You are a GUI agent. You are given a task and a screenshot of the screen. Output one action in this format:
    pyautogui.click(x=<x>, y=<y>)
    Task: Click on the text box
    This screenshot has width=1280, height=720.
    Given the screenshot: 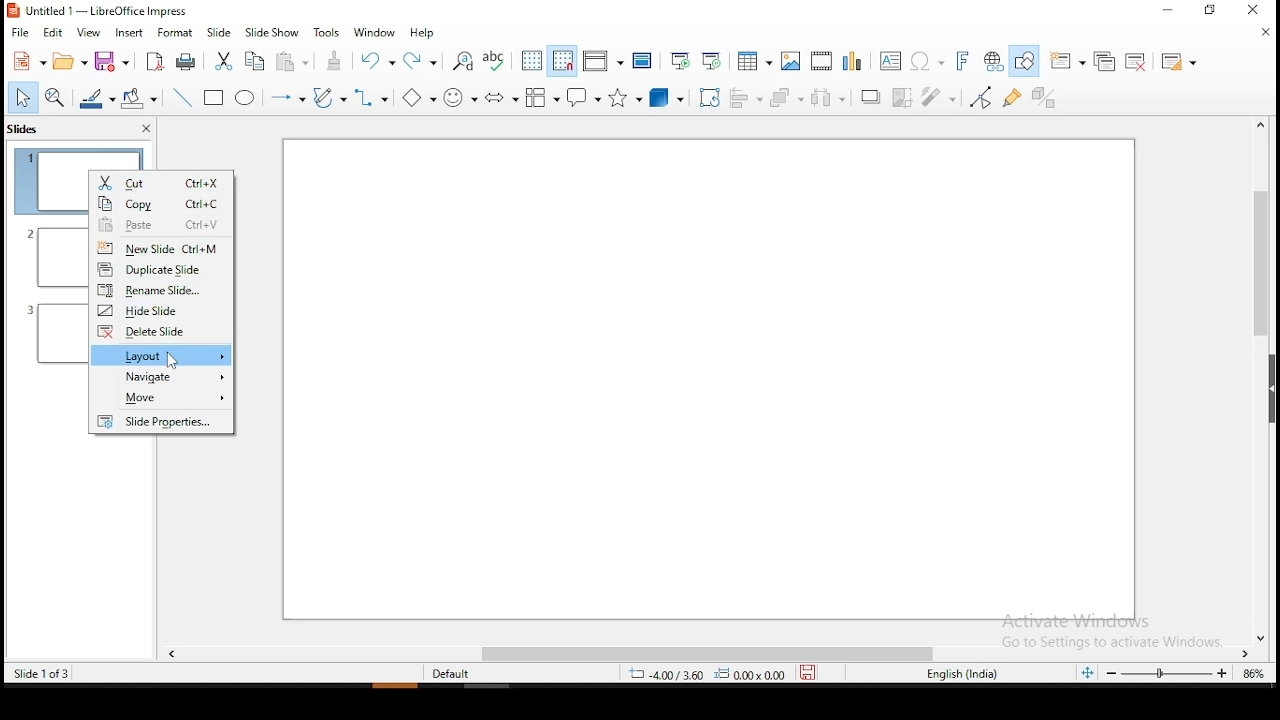 What is the action you would take?
    pyautogui.click(x=891, y=60)
    